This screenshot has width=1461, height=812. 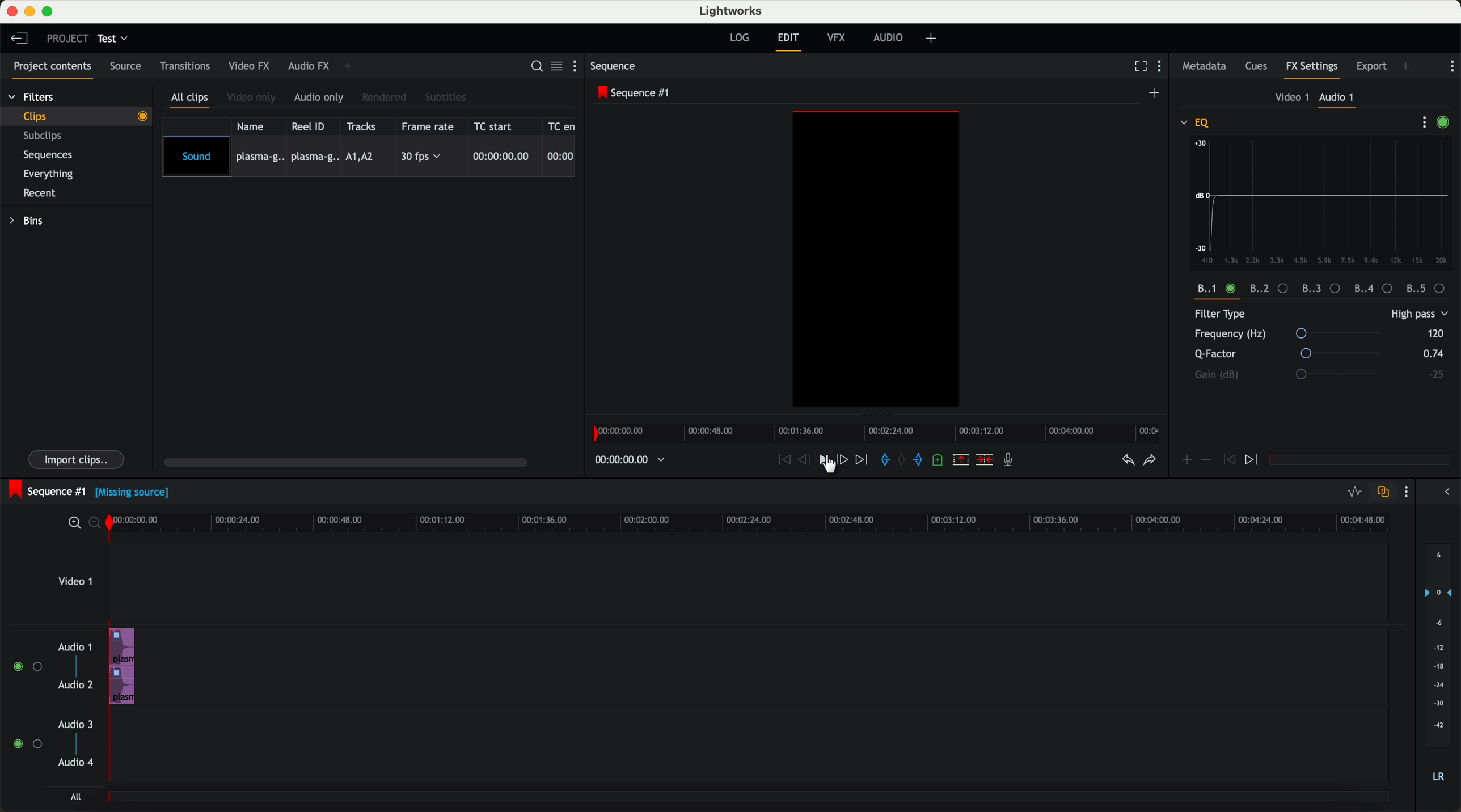 I want to click on metadata, so click(x=1204, y=67).